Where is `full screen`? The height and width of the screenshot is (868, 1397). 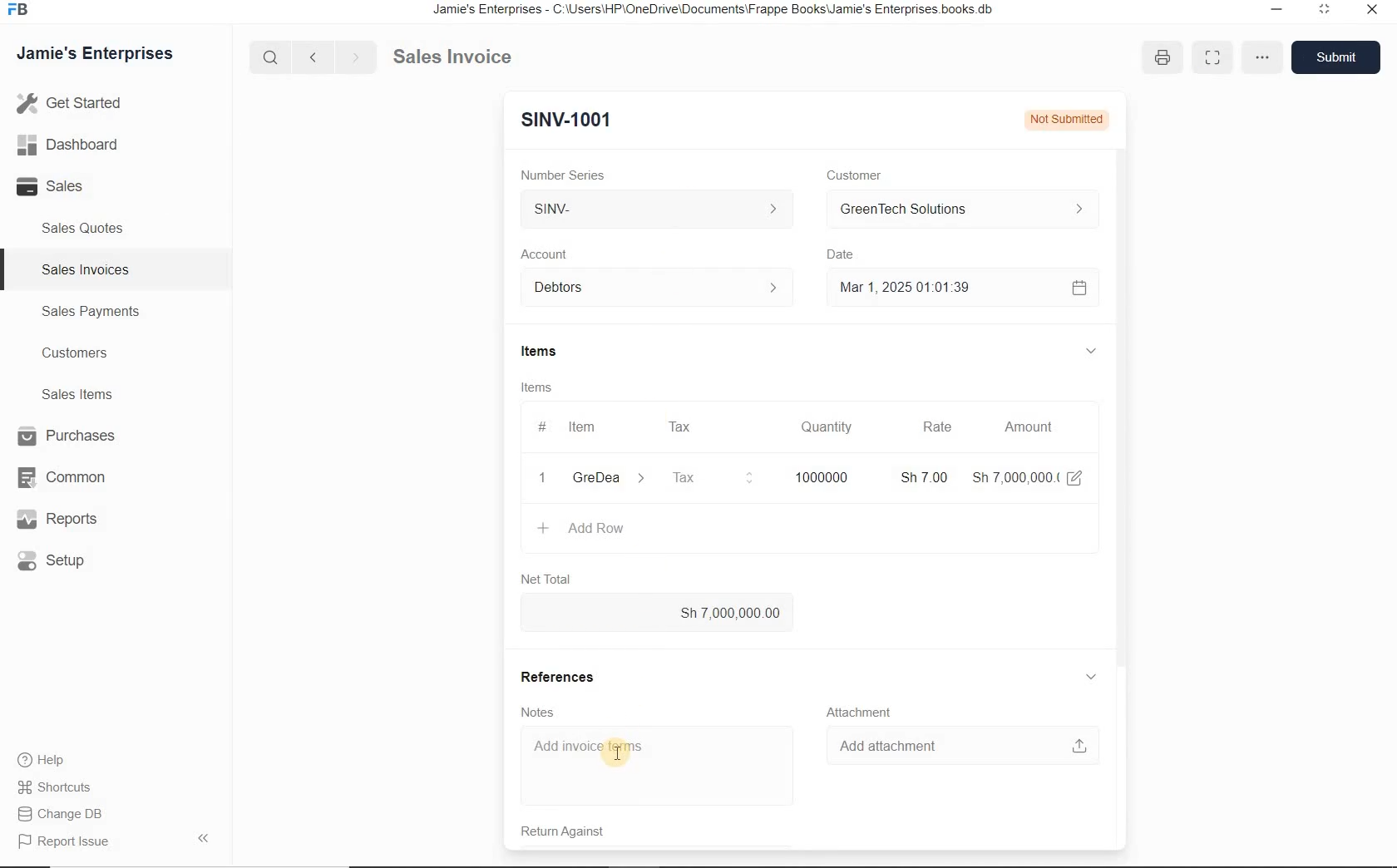
full screen is located at coordinates (1212, 57).